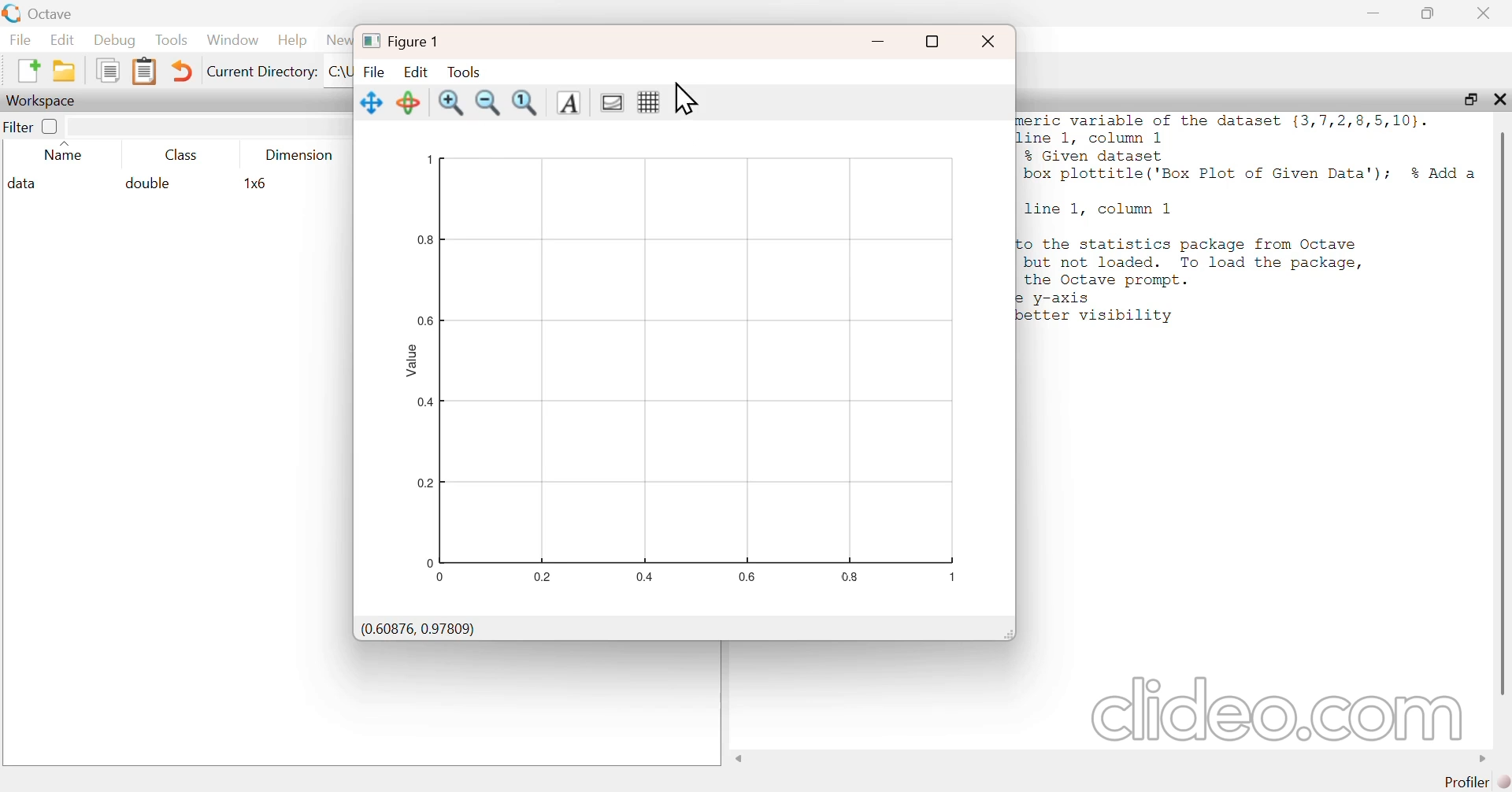 The height and width of the screenshot is (792, 1512). What do you see at coordinates (372, 102) in the screenshot?
I see `move tool` at bounding box center [372, 102].